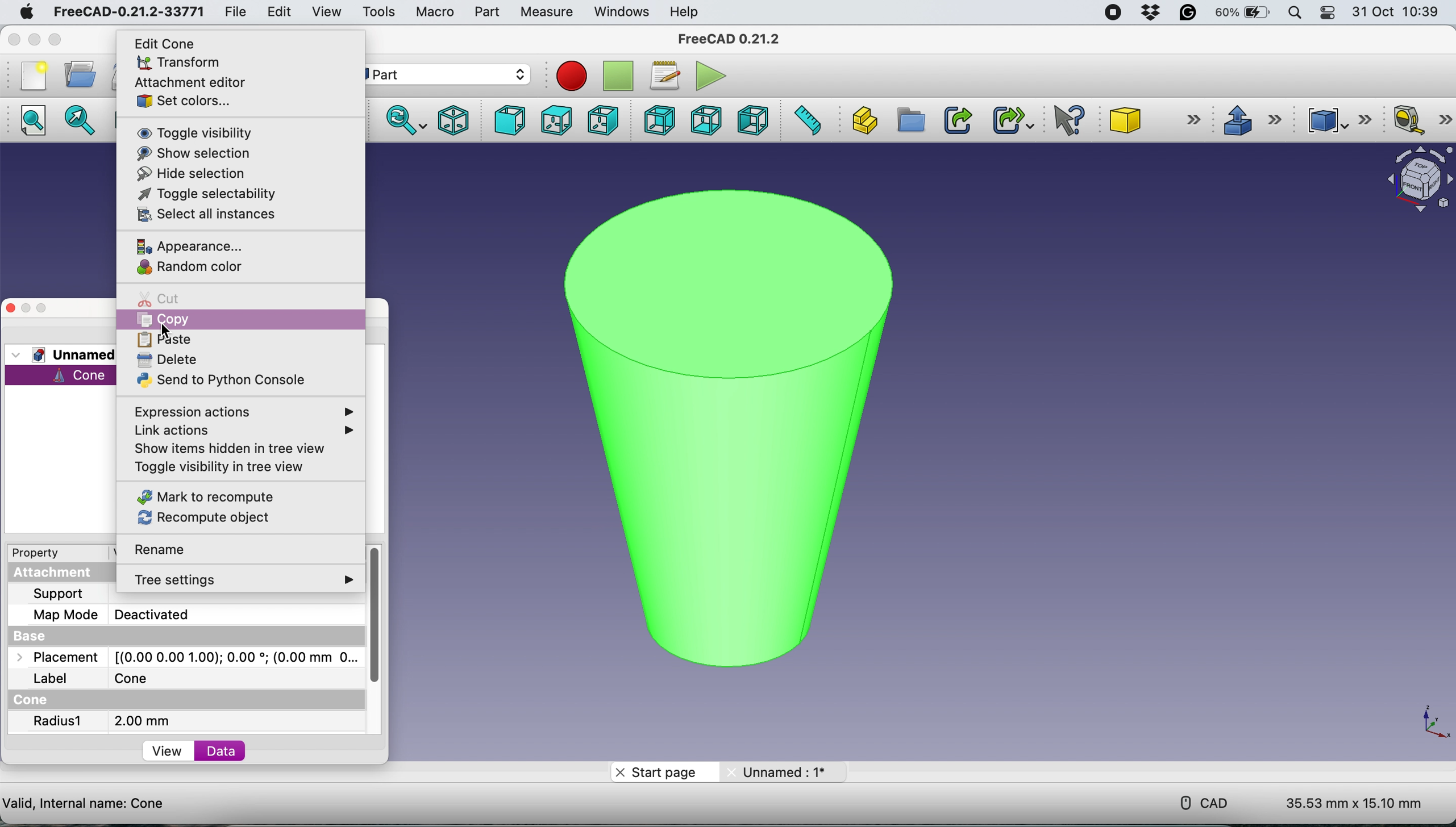  Describe the element at coordinates (247, 411) in the screenshot. I see `expression actions` at that location.